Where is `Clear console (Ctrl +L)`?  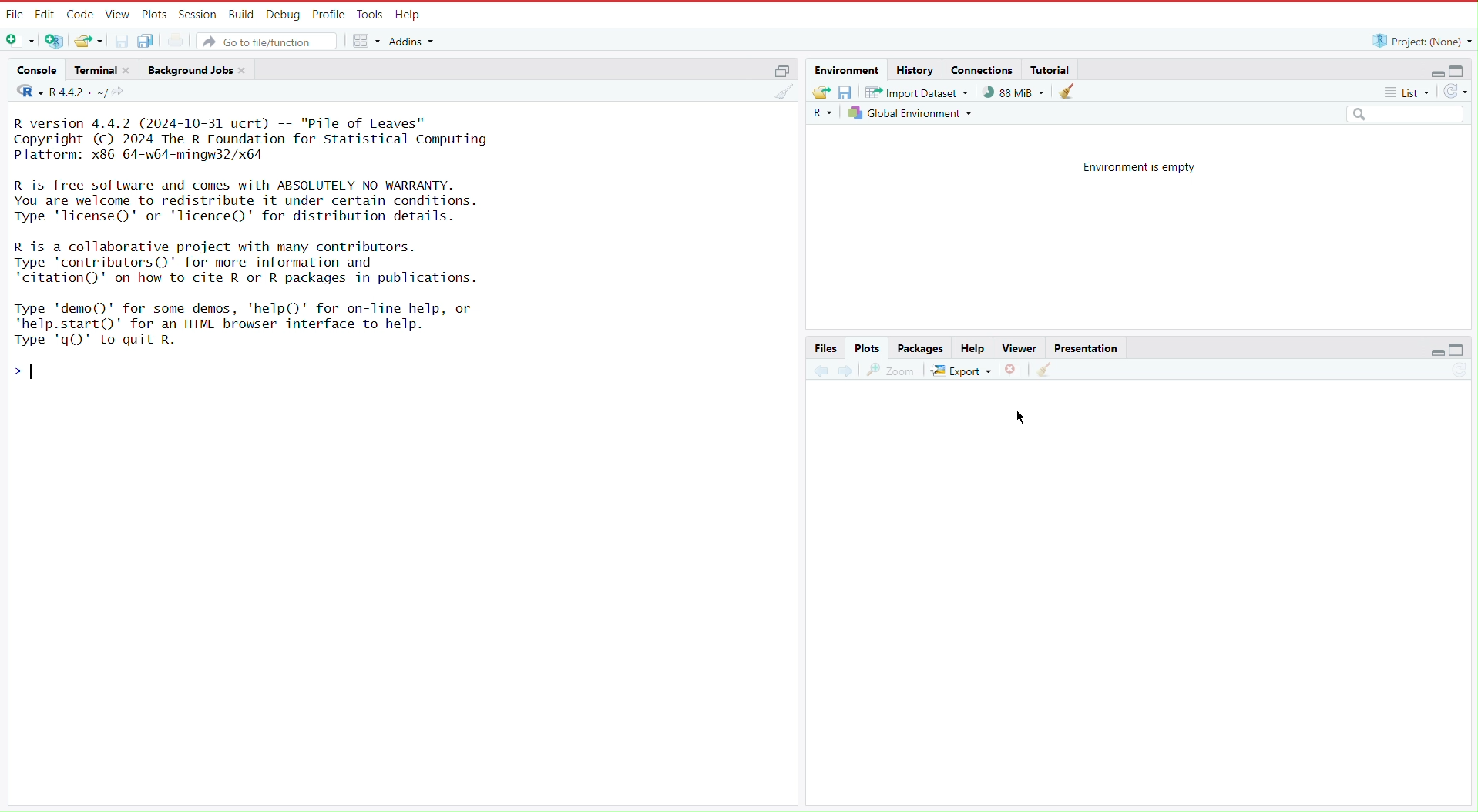 Clear console (Ctrl +L) is located at coordinates (1043, 370).